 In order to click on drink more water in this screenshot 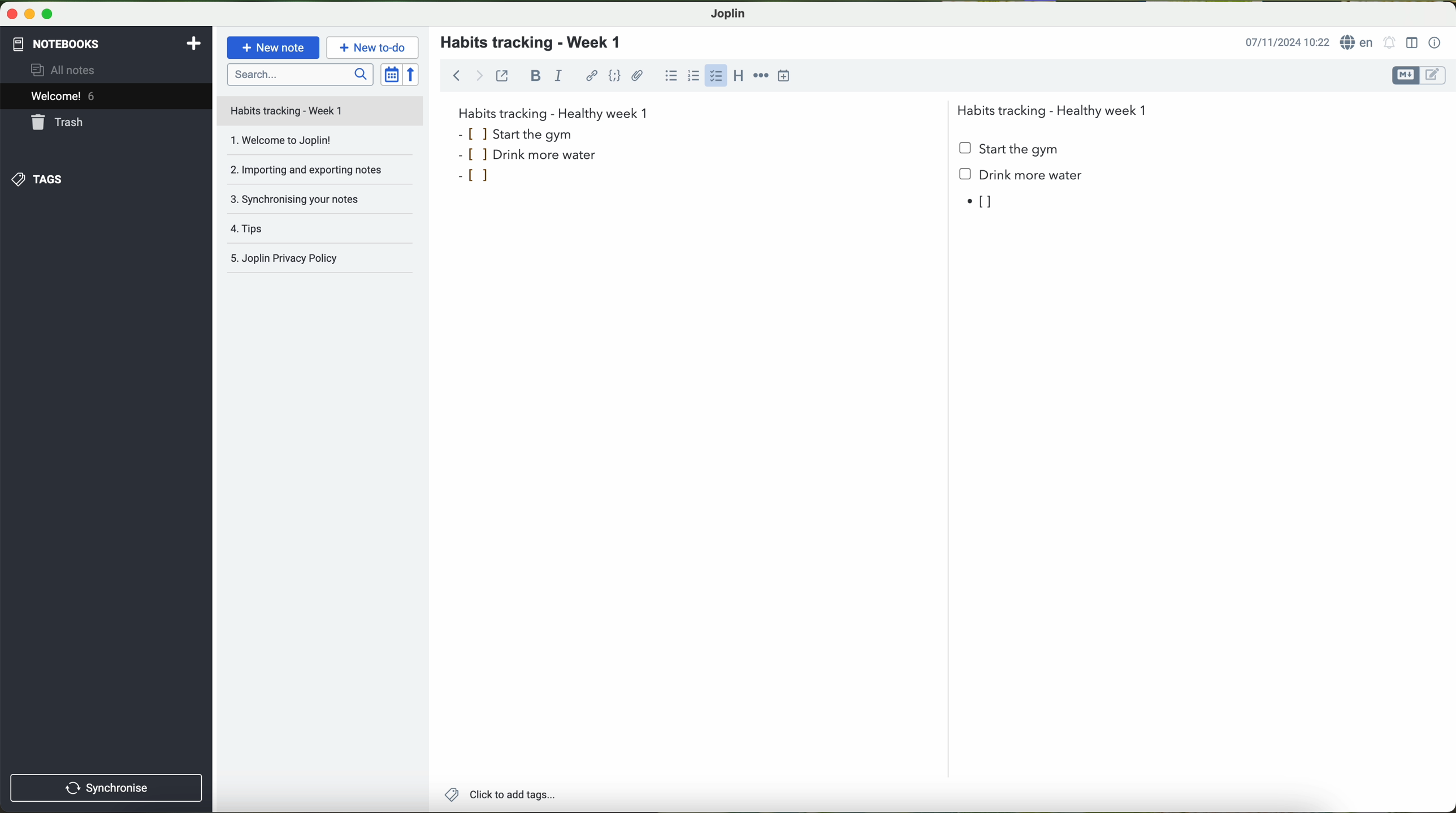, I will do `click(540, 155)`.